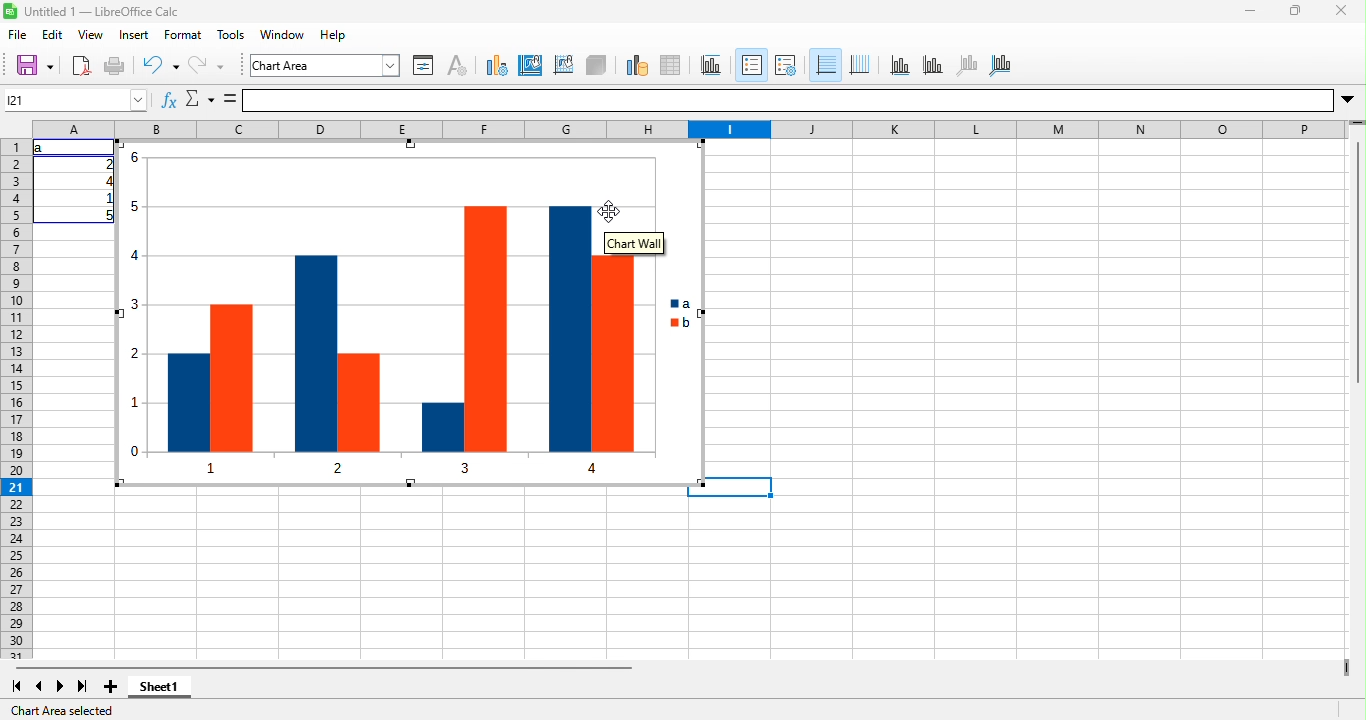  I want to click on file, so click(18, 34).